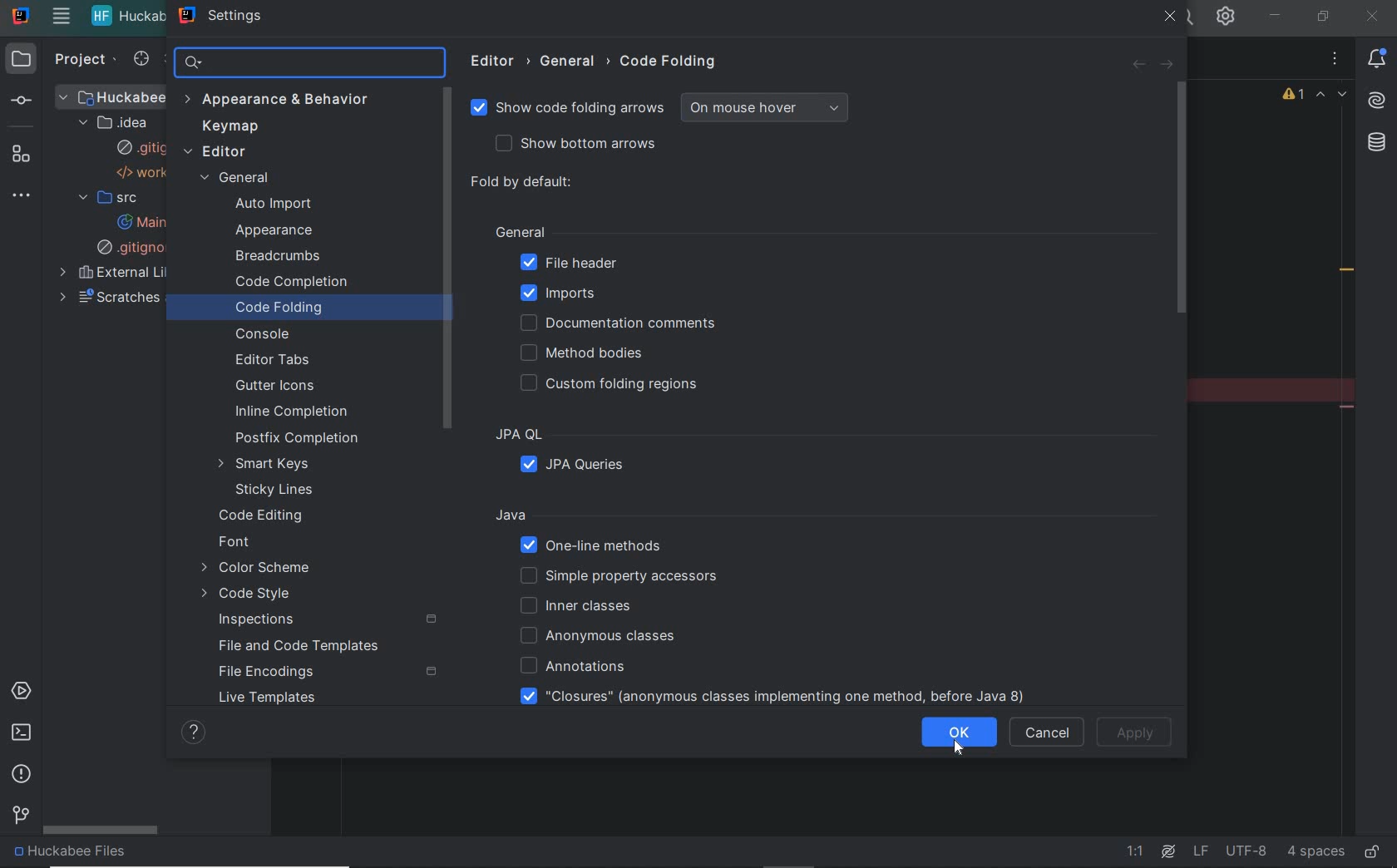  What do you see at coordinates (137, 60) in the screenshot?
I see `select opened file` at bounding box center [137, 60].